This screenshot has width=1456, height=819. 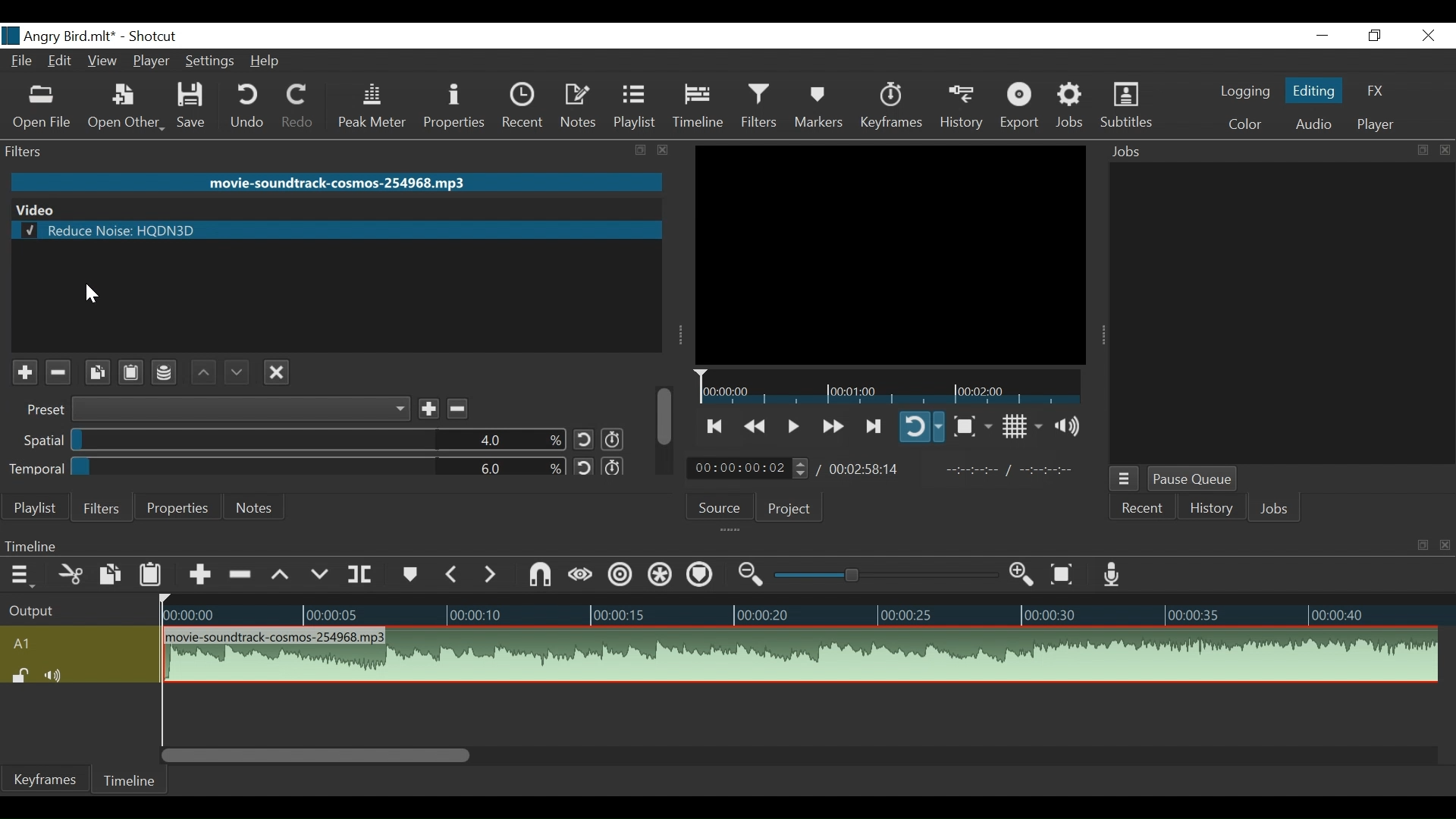 I want to click on File Name, so click(x=60, y=36).